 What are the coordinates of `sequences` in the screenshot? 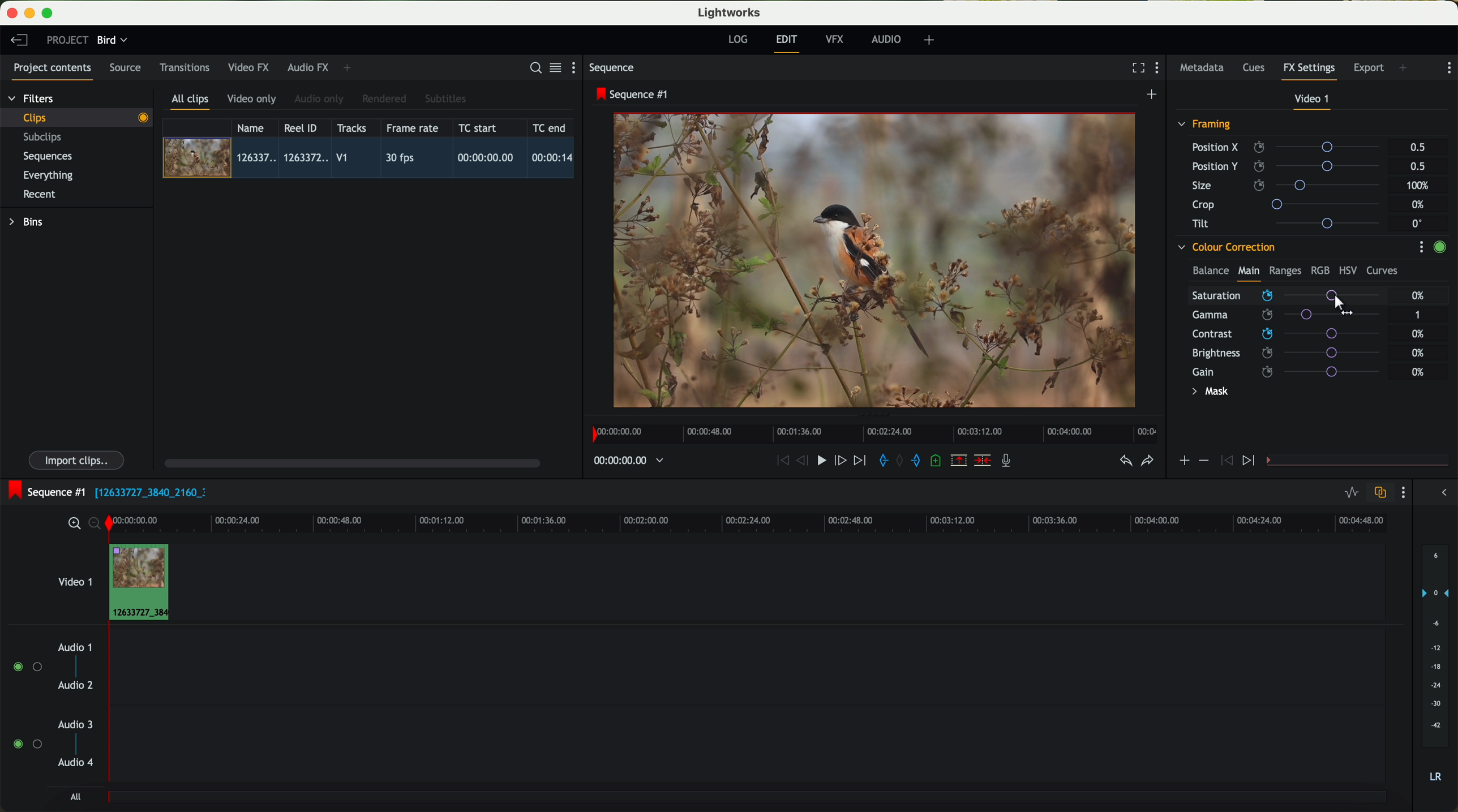 It's located at (48, 157).